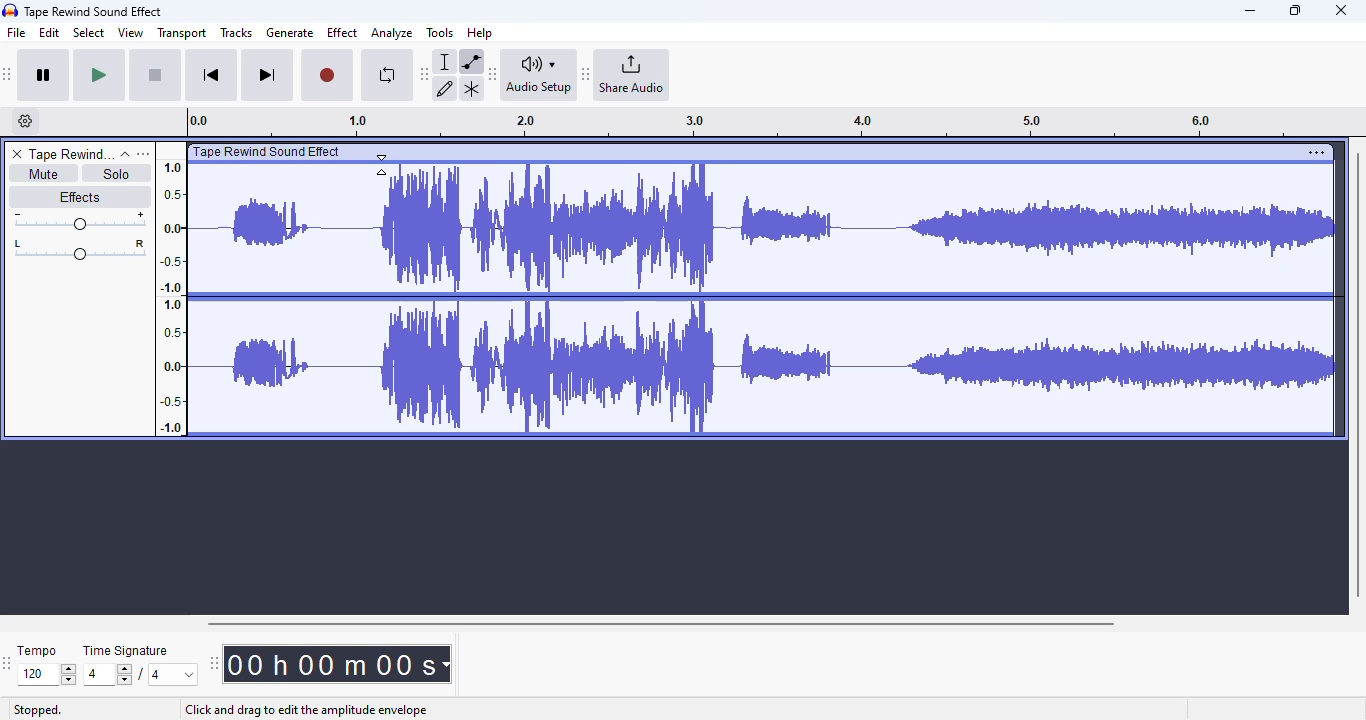  What do you see at coordinates (1341, 10) in the screenshot?
I see `close` at bounding box center [1341, 10].